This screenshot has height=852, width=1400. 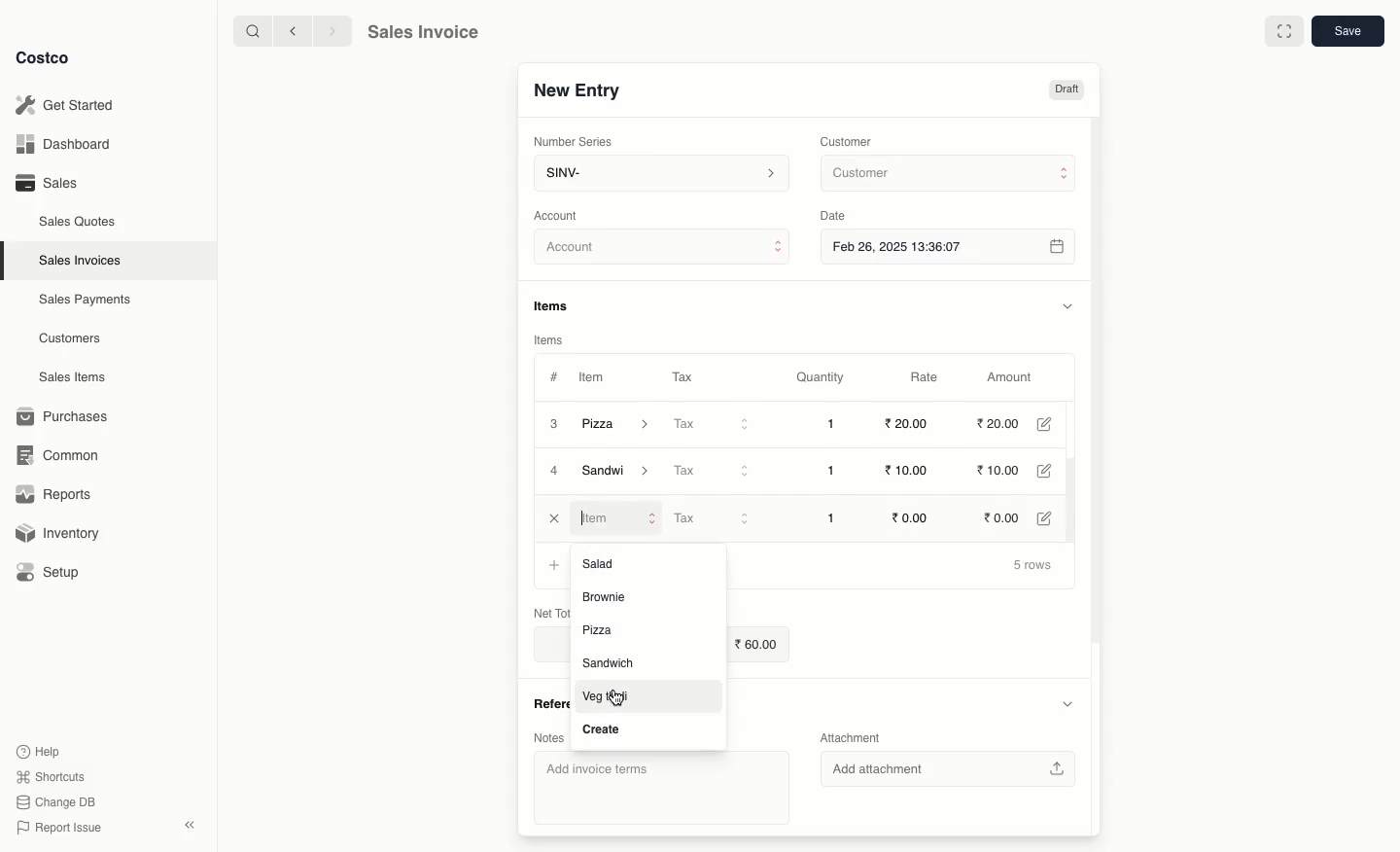 What do you see at coordinates (1067, 704) in the screenshot?
I see `Hide` at bounding box center [1067, 704].